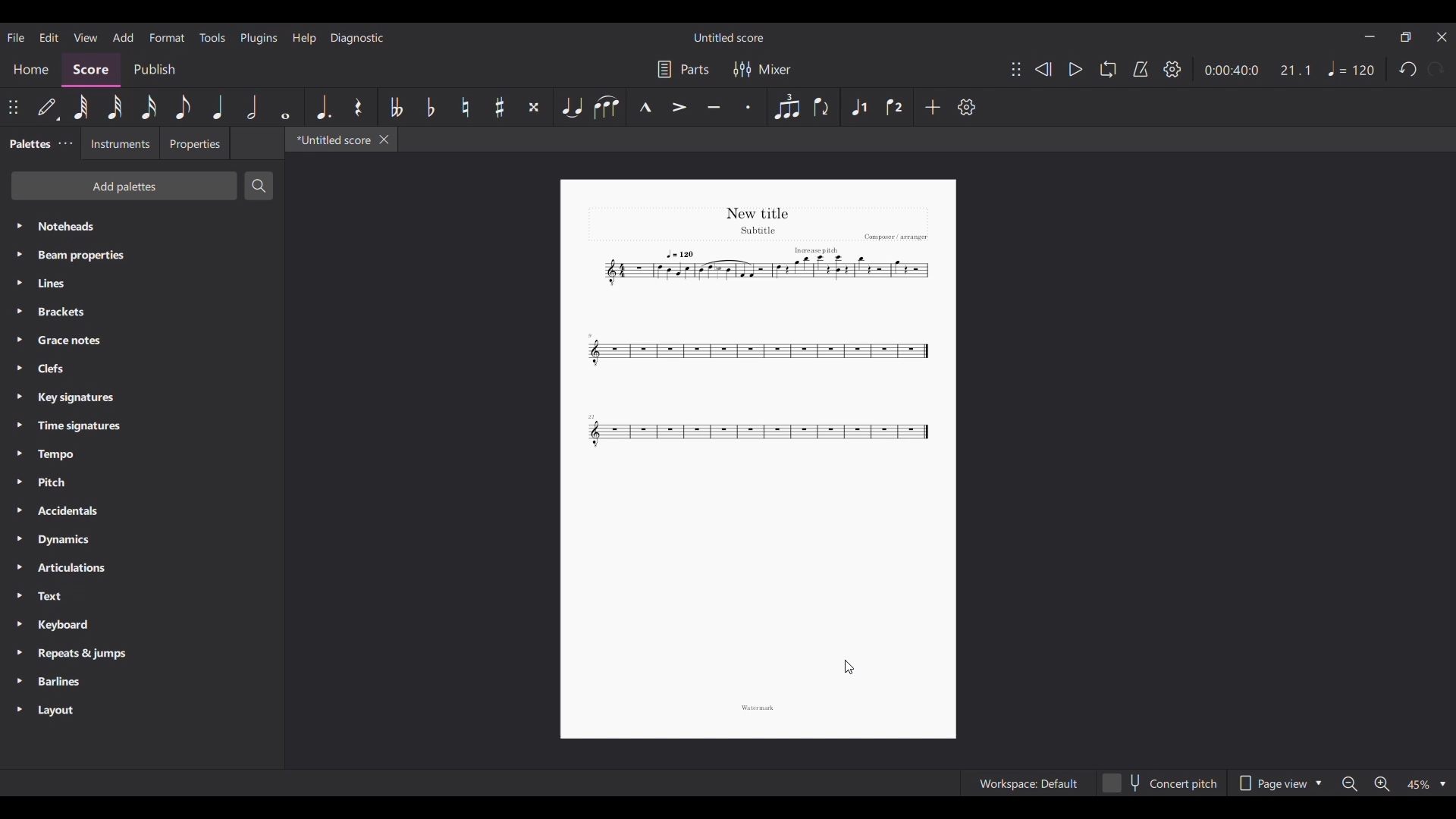 This screenshot has width=1456, height=819. Describe the element at coordinates (607, 107) in the screenshot. I see `Slur` at that location.